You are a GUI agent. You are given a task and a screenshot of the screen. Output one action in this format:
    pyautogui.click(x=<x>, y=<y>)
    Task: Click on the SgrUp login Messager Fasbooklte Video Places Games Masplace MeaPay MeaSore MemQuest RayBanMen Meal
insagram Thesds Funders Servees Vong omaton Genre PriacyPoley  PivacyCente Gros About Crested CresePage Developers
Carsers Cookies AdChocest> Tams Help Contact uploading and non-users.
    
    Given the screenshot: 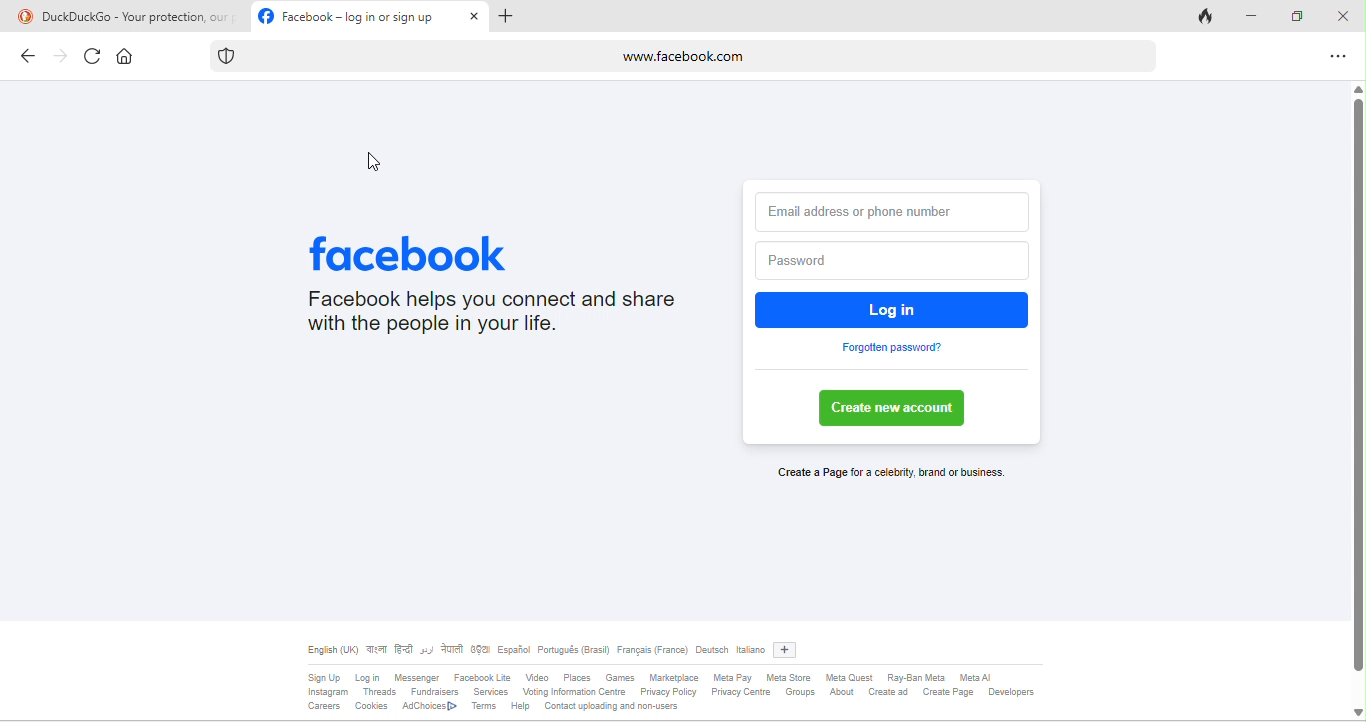 What is the action you would take?
    pyautogui.click(x=722, y=695)
    